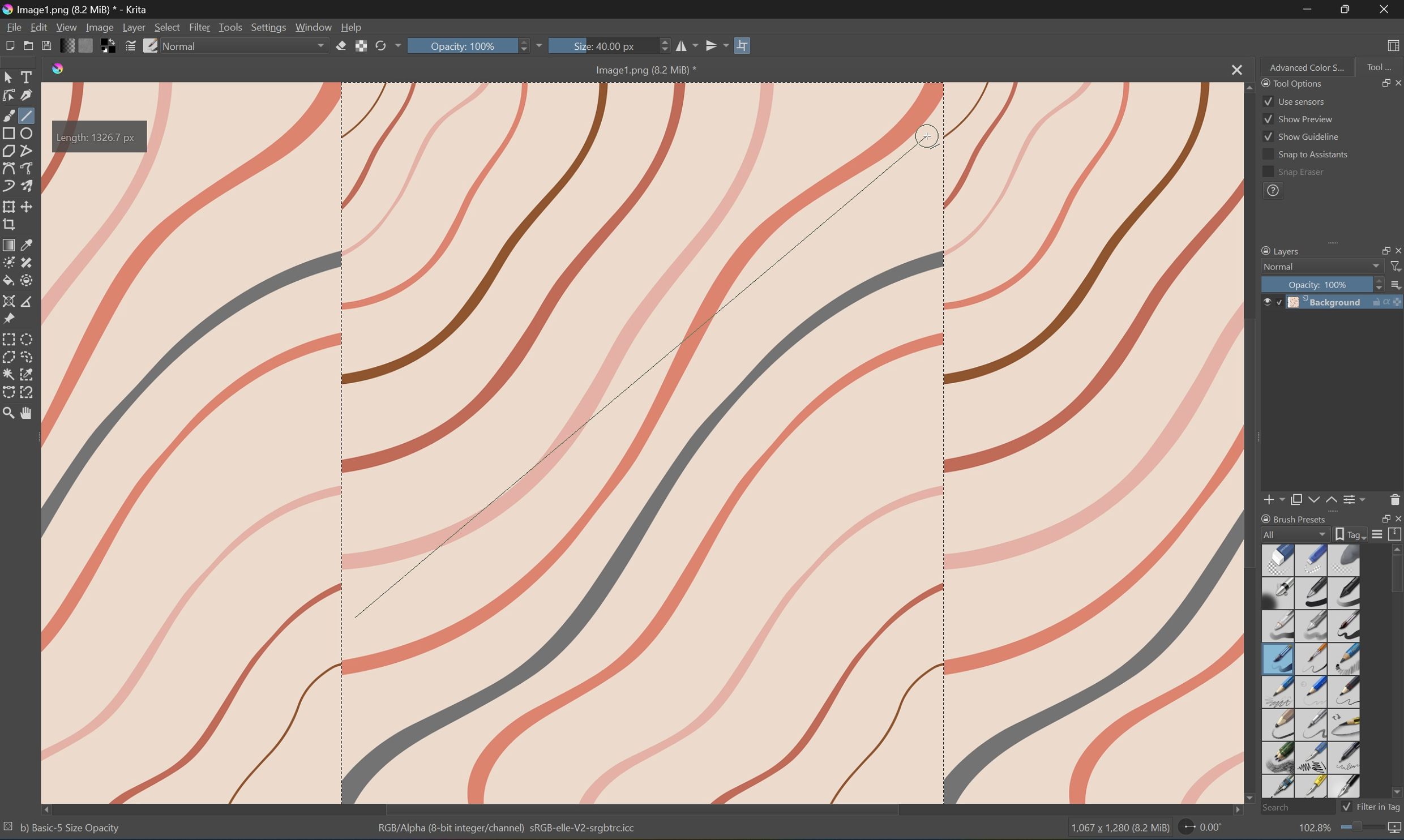 The height and width of the screenshot is (840, 1404). I want to click on Checkbox, so click(1345, 807).